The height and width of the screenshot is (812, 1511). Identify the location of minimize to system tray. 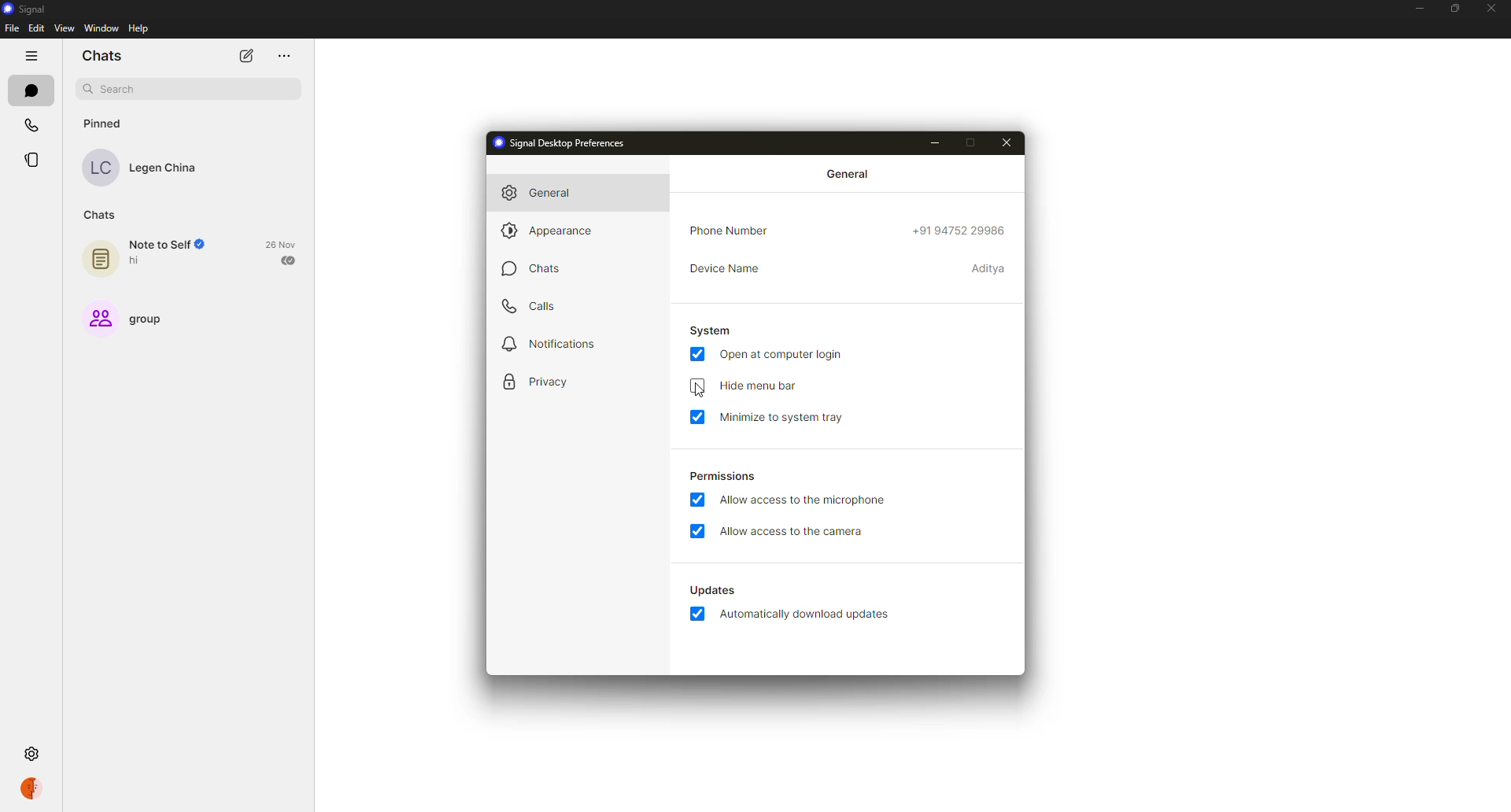
(785, 418).